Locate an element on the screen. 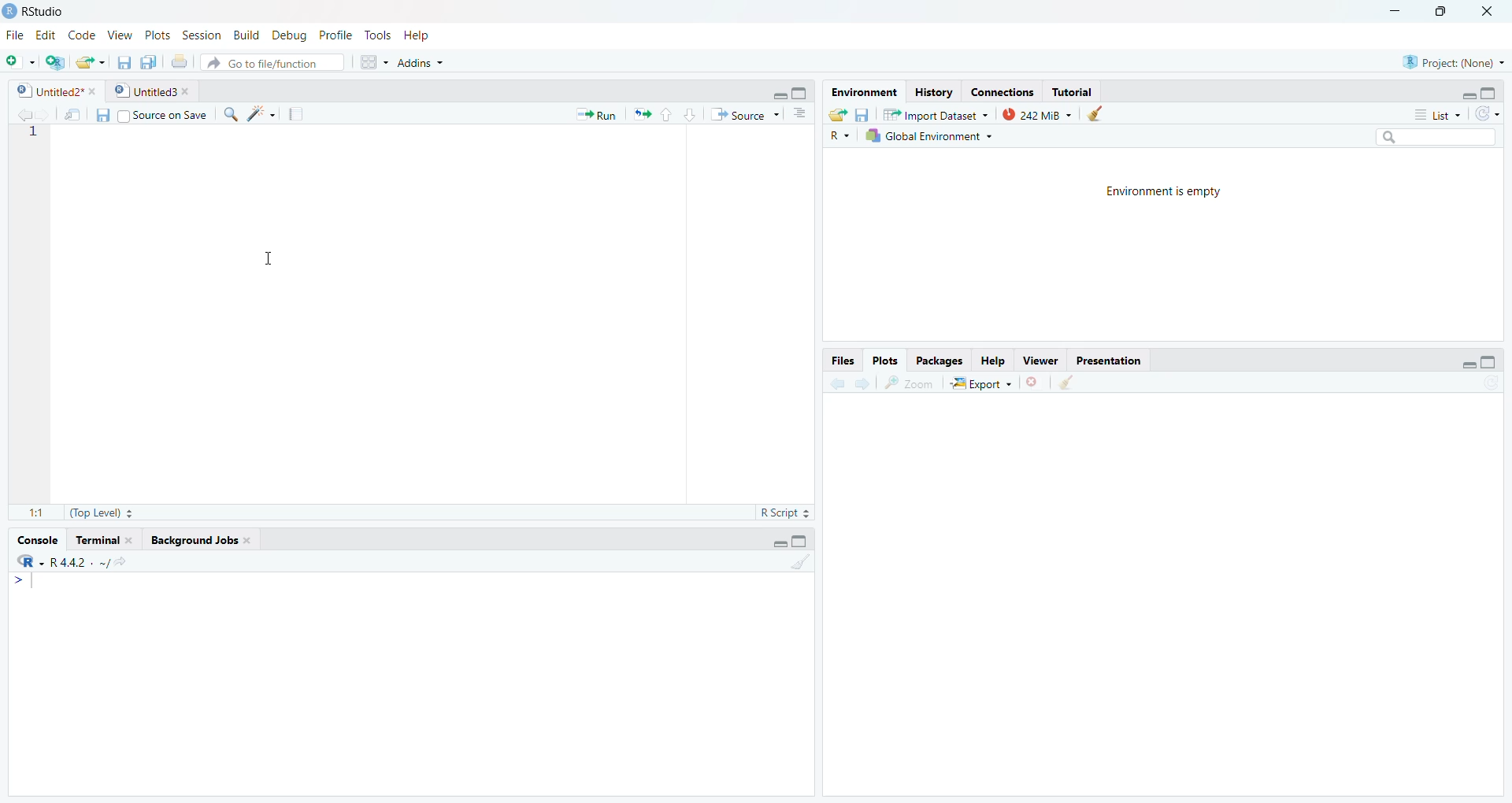  save workspace is located at coordinates (862, 113).